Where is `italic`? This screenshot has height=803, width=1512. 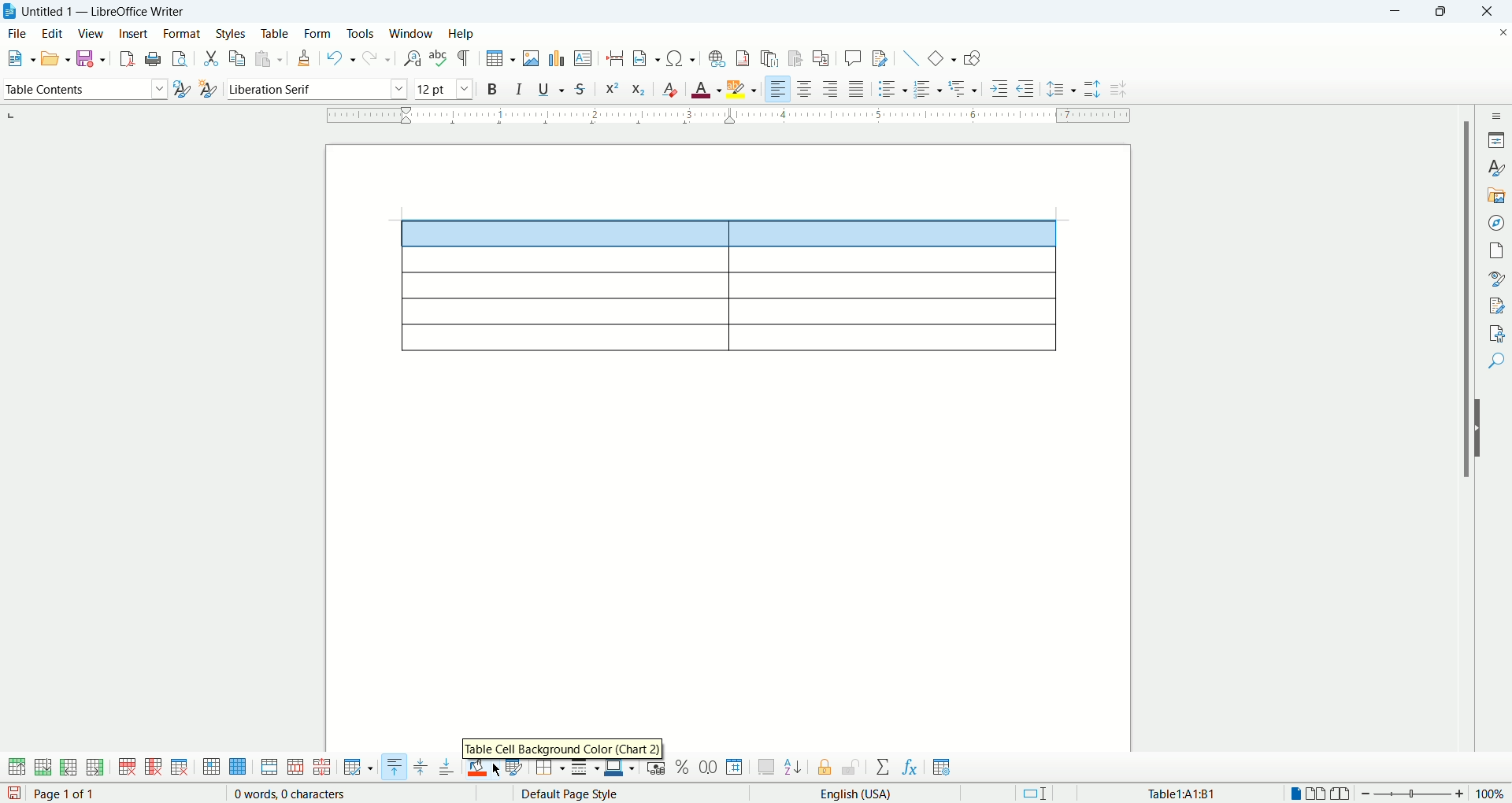
italic is located at coordinates (522, 87).